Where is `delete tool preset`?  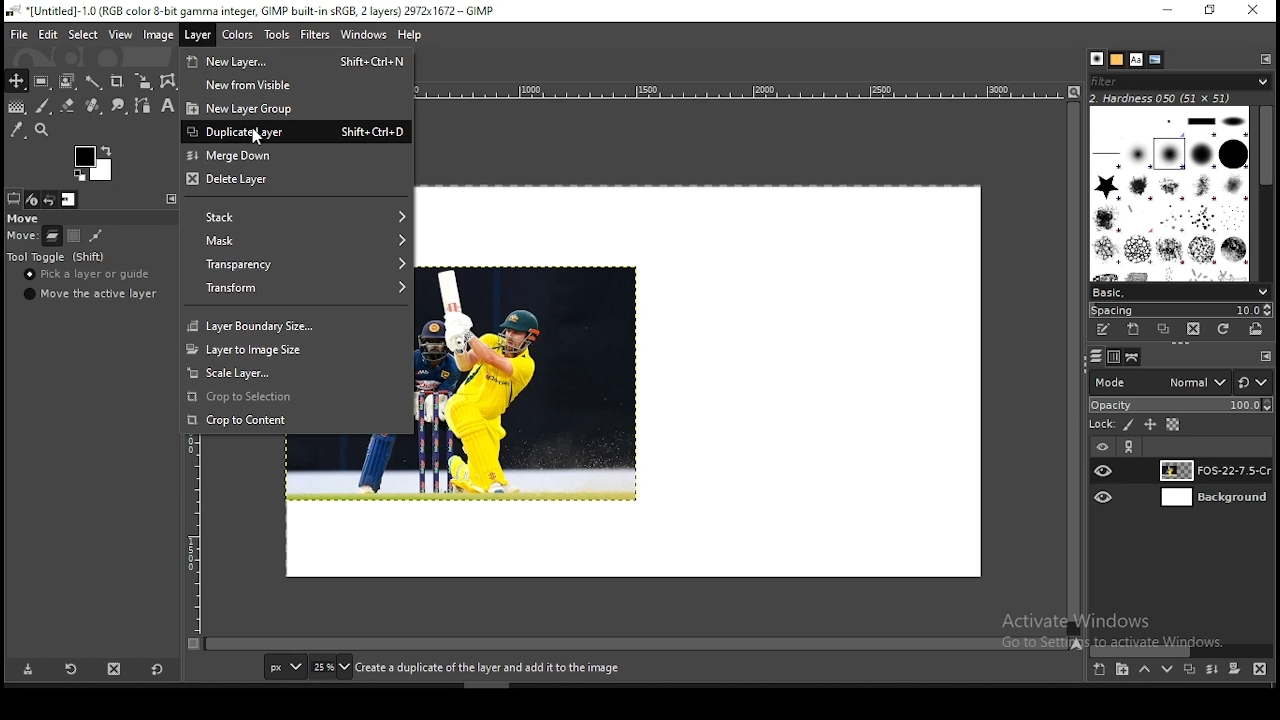
delete tool preset is located at coordinates (116, 668).